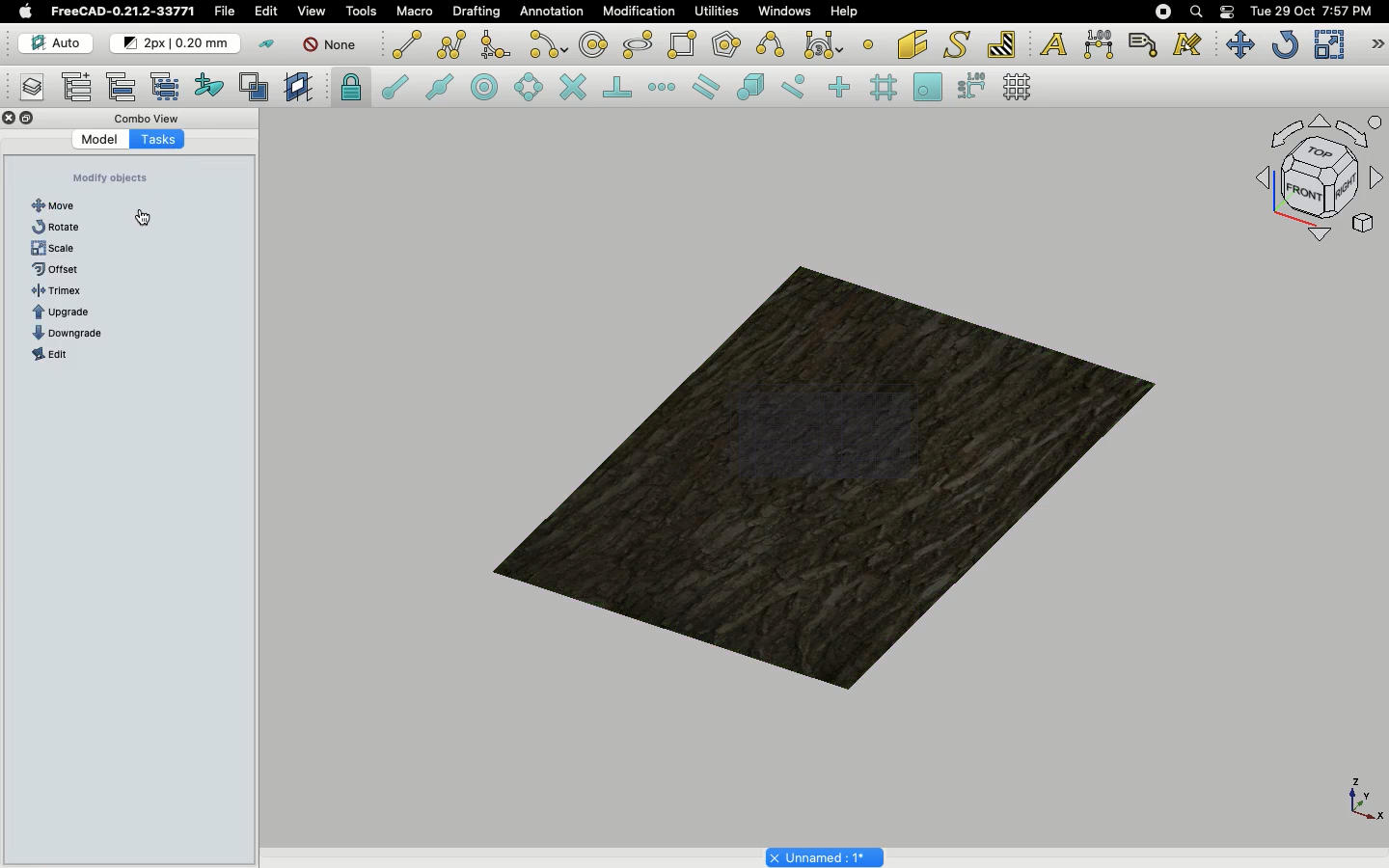  What do you see at coordinates (868, 42) in the screenshot?
I see `Point` at bounding box center [868, 42].